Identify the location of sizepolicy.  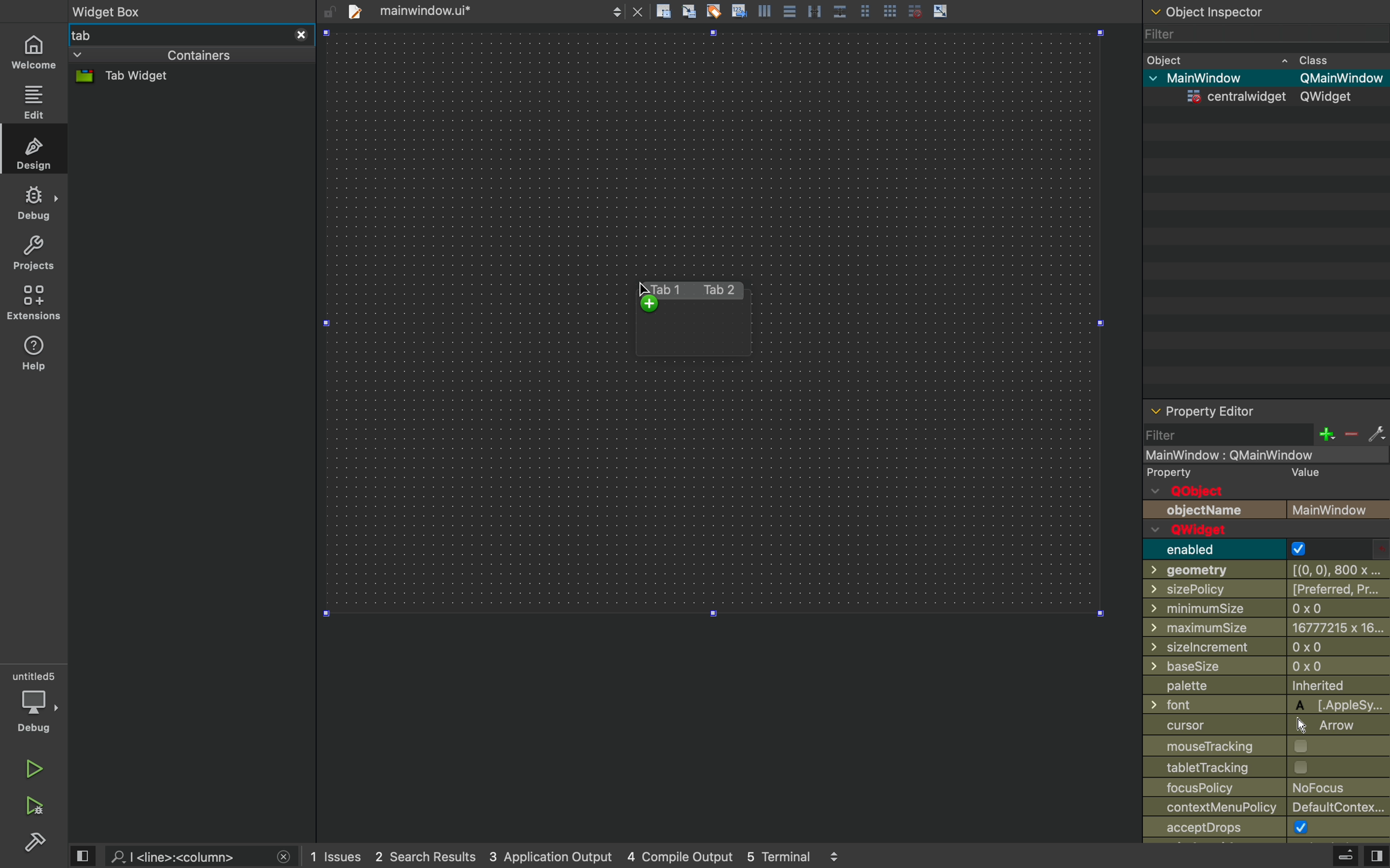
(1265, 591).